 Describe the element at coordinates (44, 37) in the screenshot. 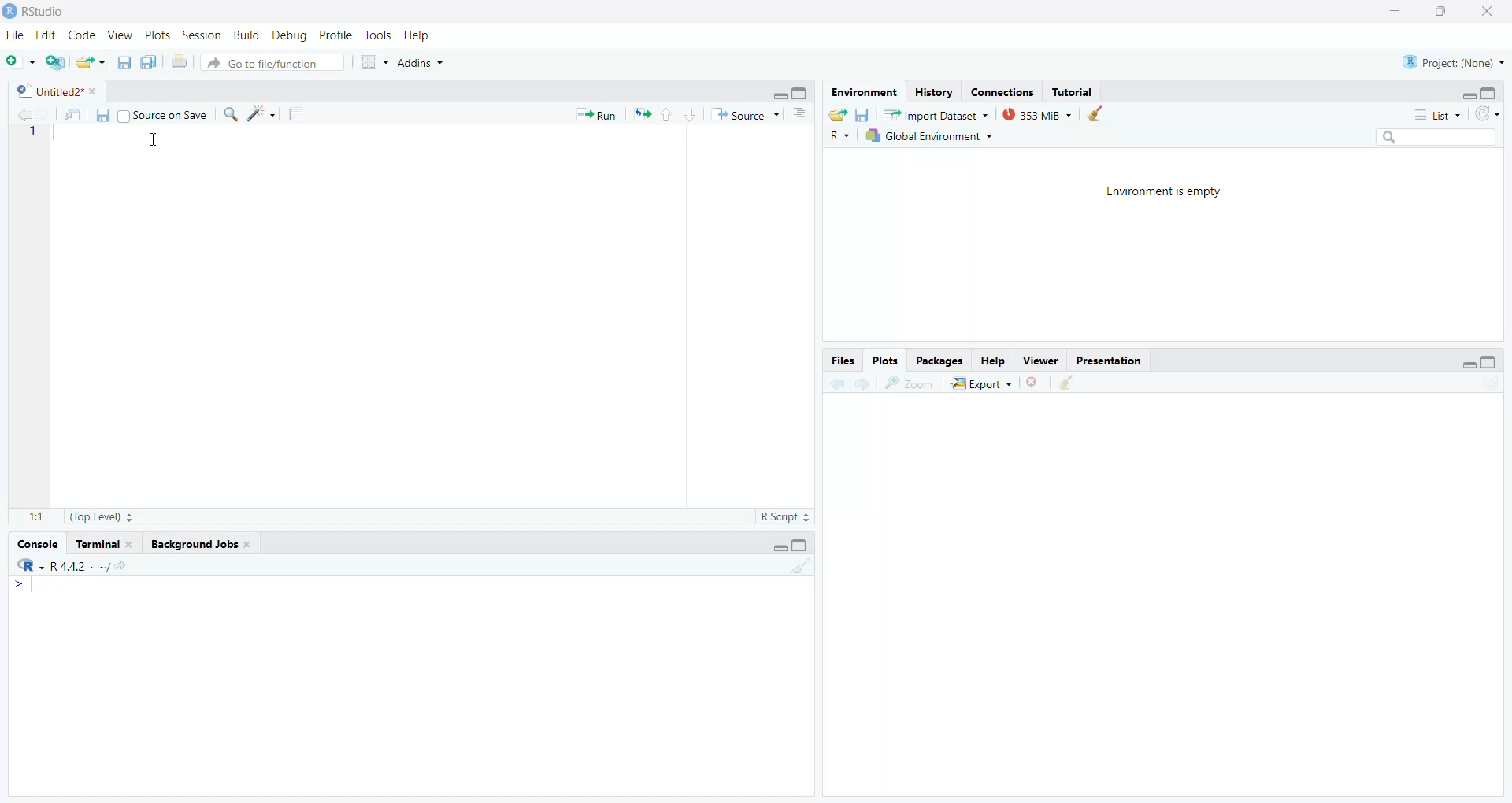

I see `Edit` at that location.